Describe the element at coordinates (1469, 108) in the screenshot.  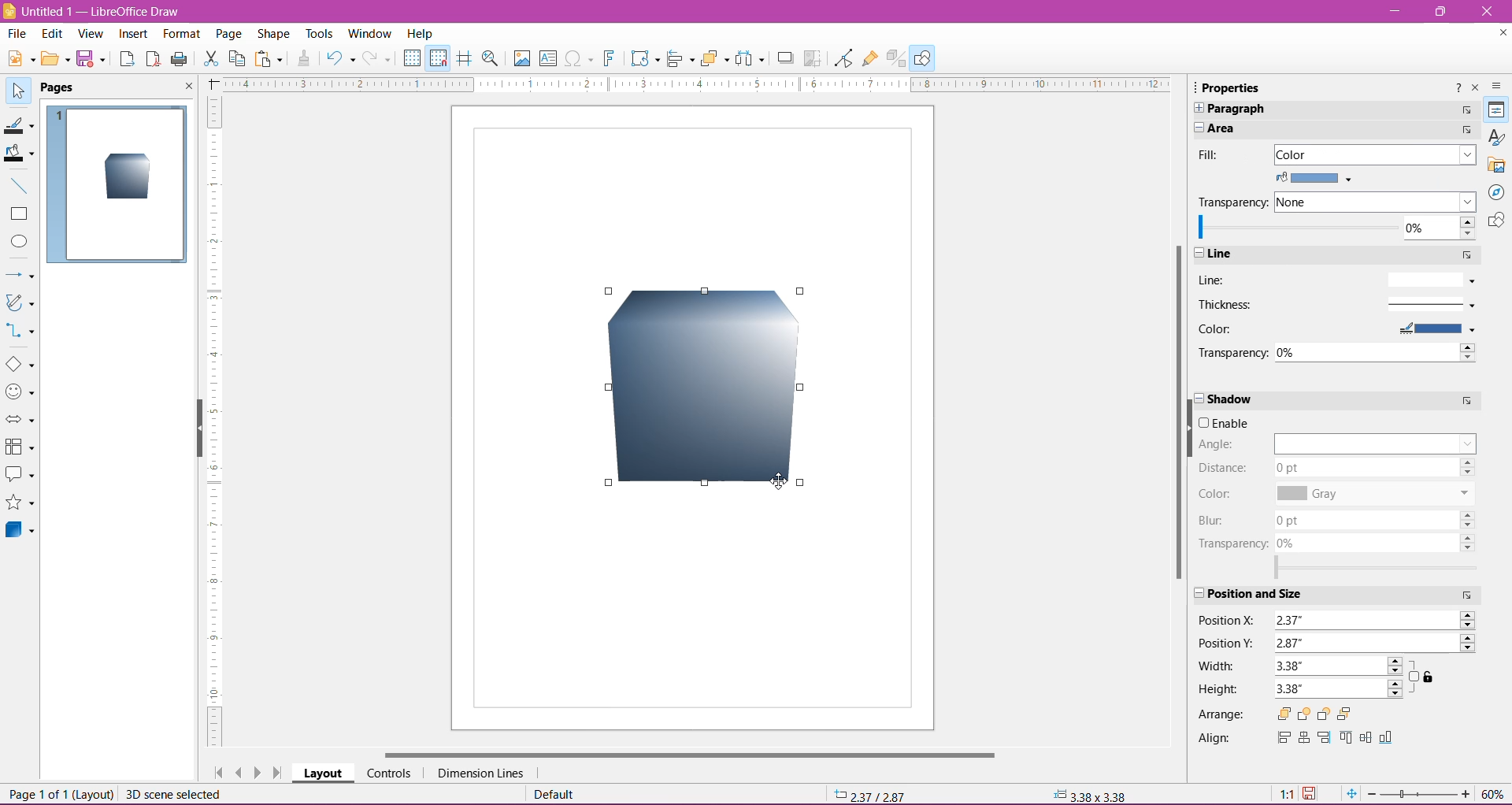
I see `More Options` at that location.